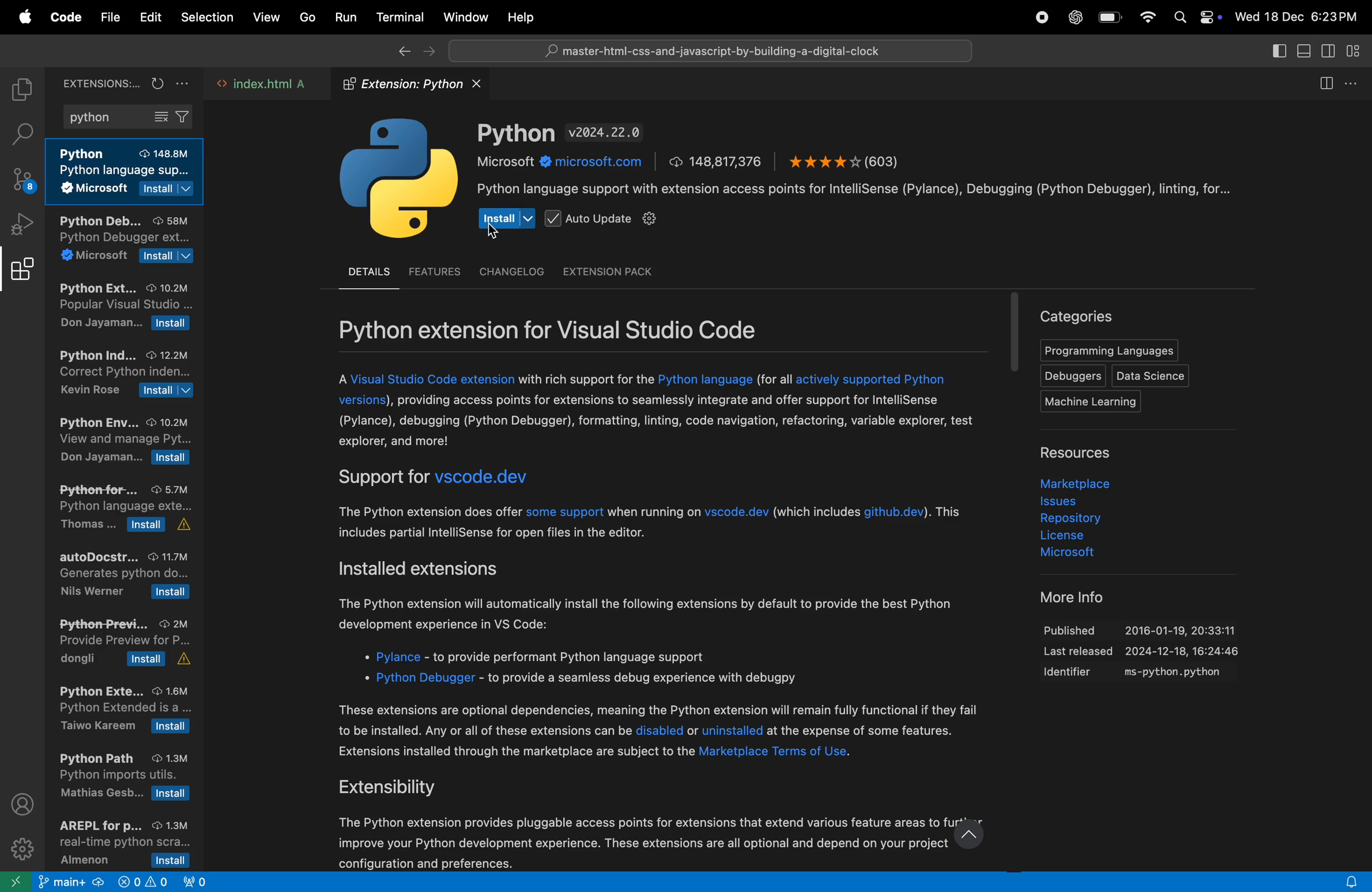  What do you see at coordinates (126, 778) in the screenshot?
I see `pythonpath ` at bounding box center [126, 778].